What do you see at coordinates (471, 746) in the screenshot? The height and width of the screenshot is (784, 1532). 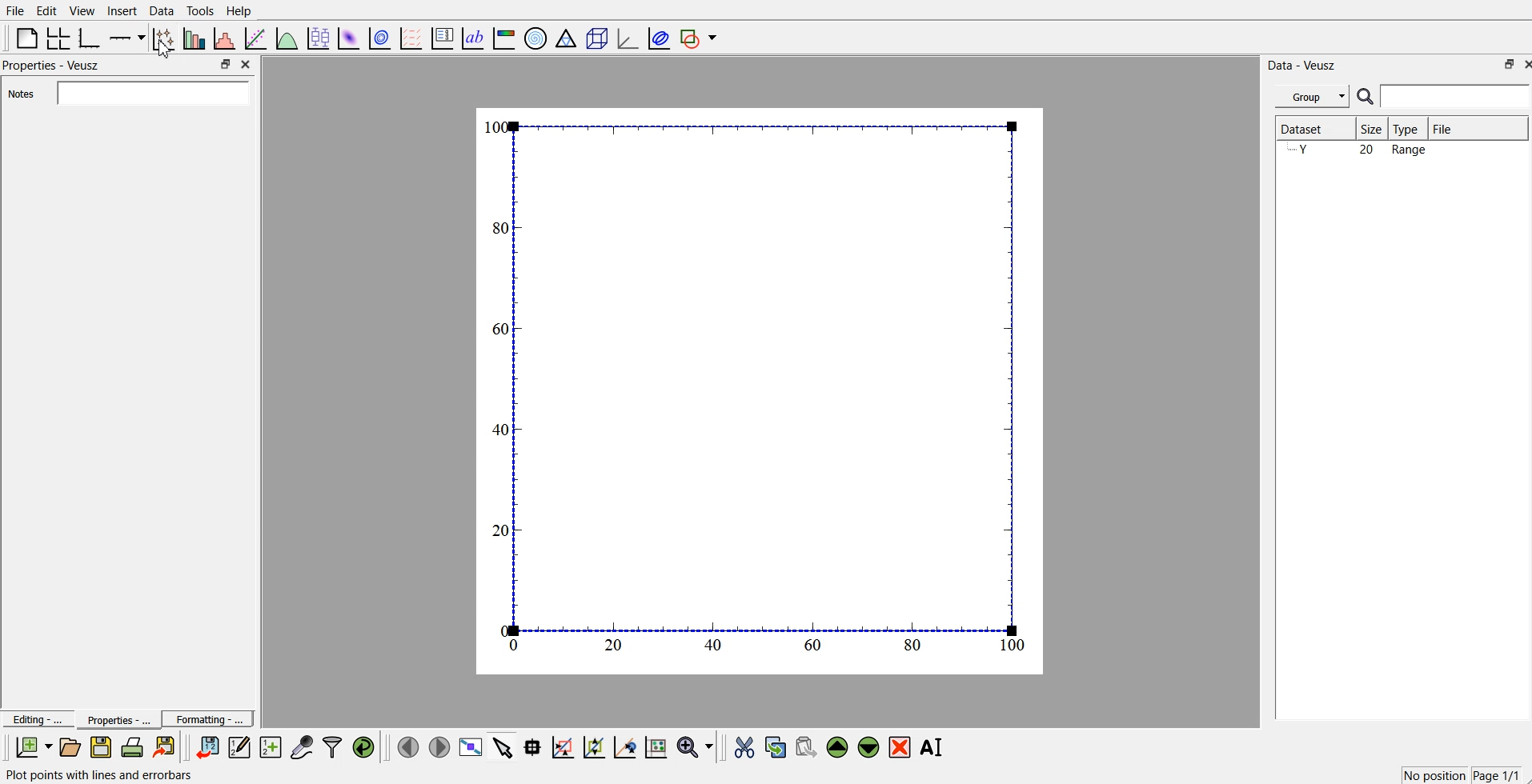 I see `View plot full screen` at bounding box center [471, 746].